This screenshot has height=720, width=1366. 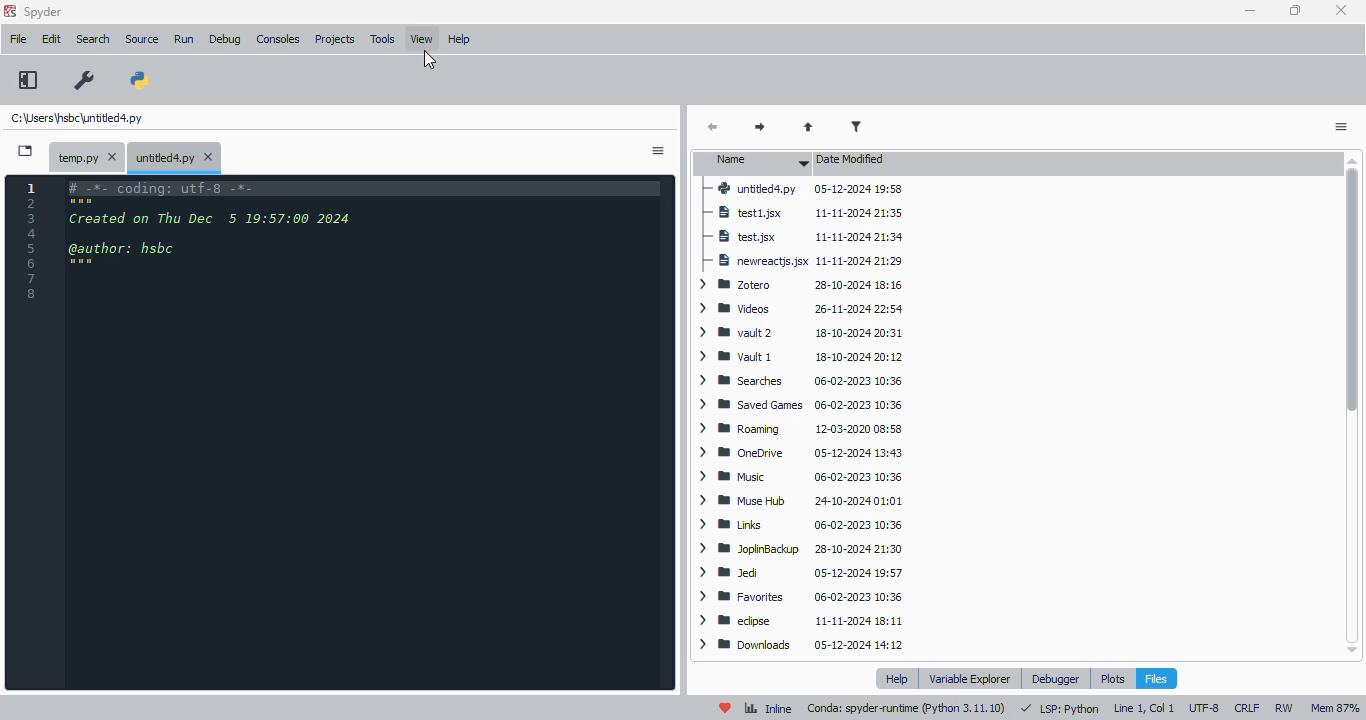 What do you see at coordinates (971, 678) in the screenshot?
I see `variable explorer` at bounding box center [971, 678].